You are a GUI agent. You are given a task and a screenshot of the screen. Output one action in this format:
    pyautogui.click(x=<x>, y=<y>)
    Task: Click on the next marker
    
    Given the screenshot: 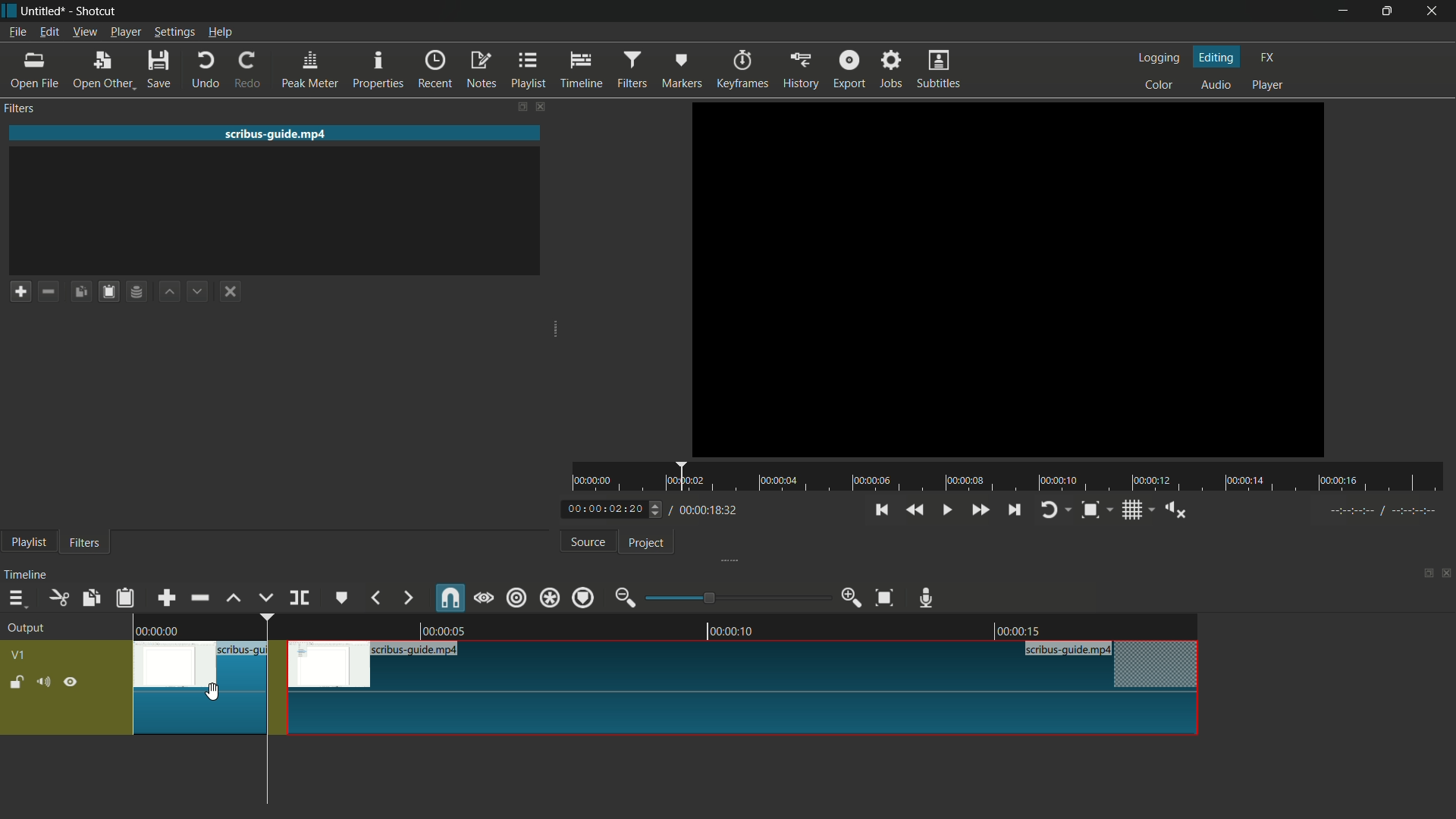 What is the action you would take?
    pyautogui.click(x=409, y=598)
    